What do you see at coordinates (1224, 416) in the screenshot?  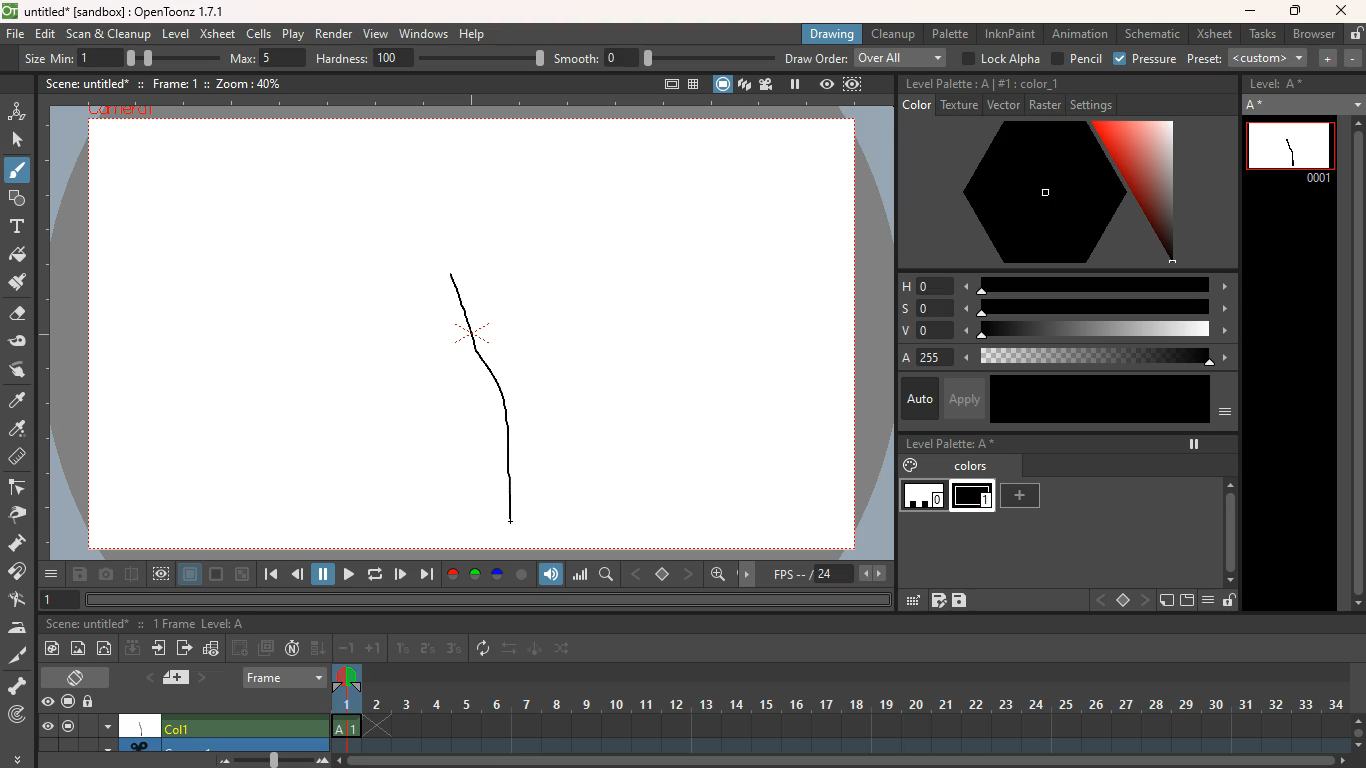 I see `menu` at bounding box center [1224, 416].